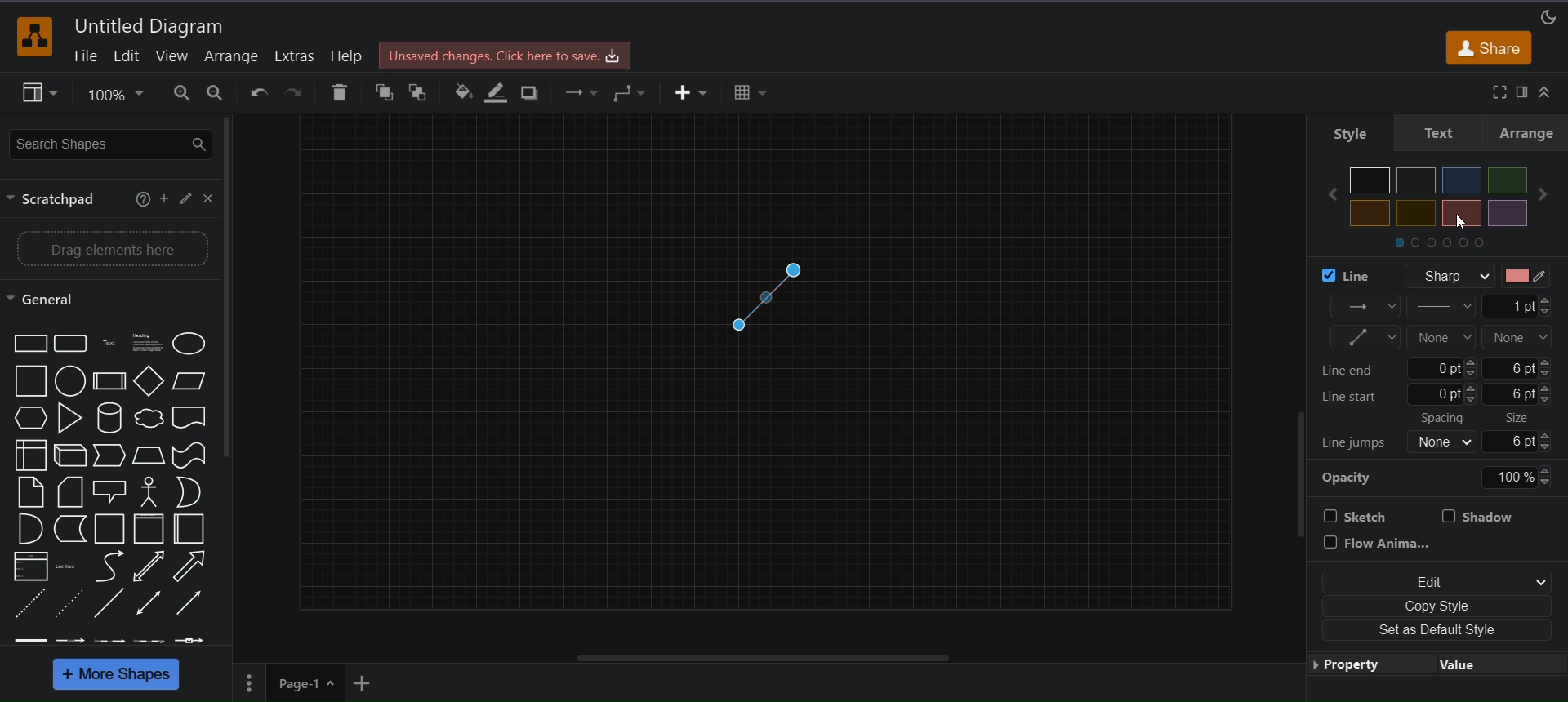 The width and height of the screenshot is (1568, 702). I want to click on Unsaved changes. Click here to save., so click(503, 55).